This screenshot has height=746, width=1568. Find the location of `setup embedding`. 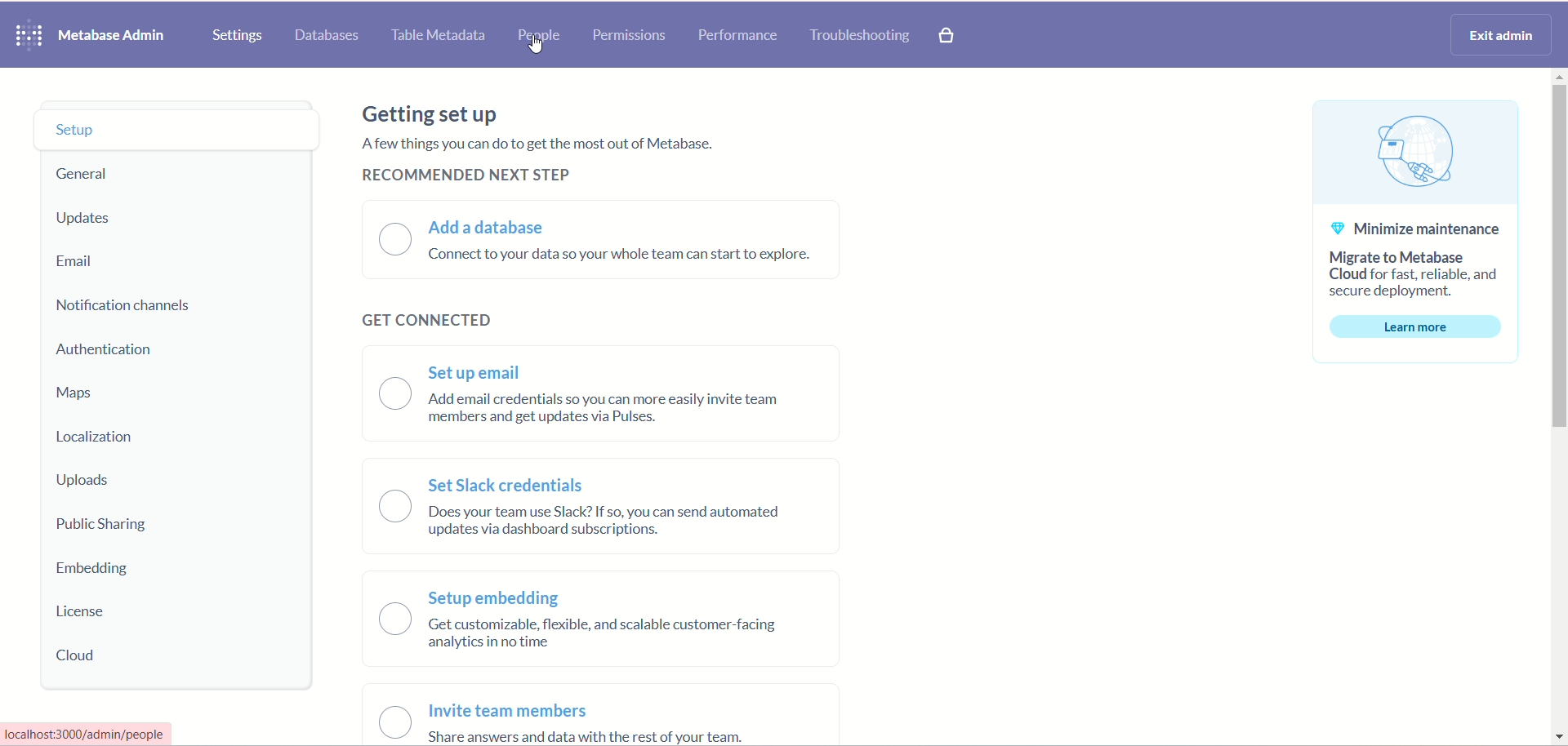

setup embedding is located at coordinates (492, 598).